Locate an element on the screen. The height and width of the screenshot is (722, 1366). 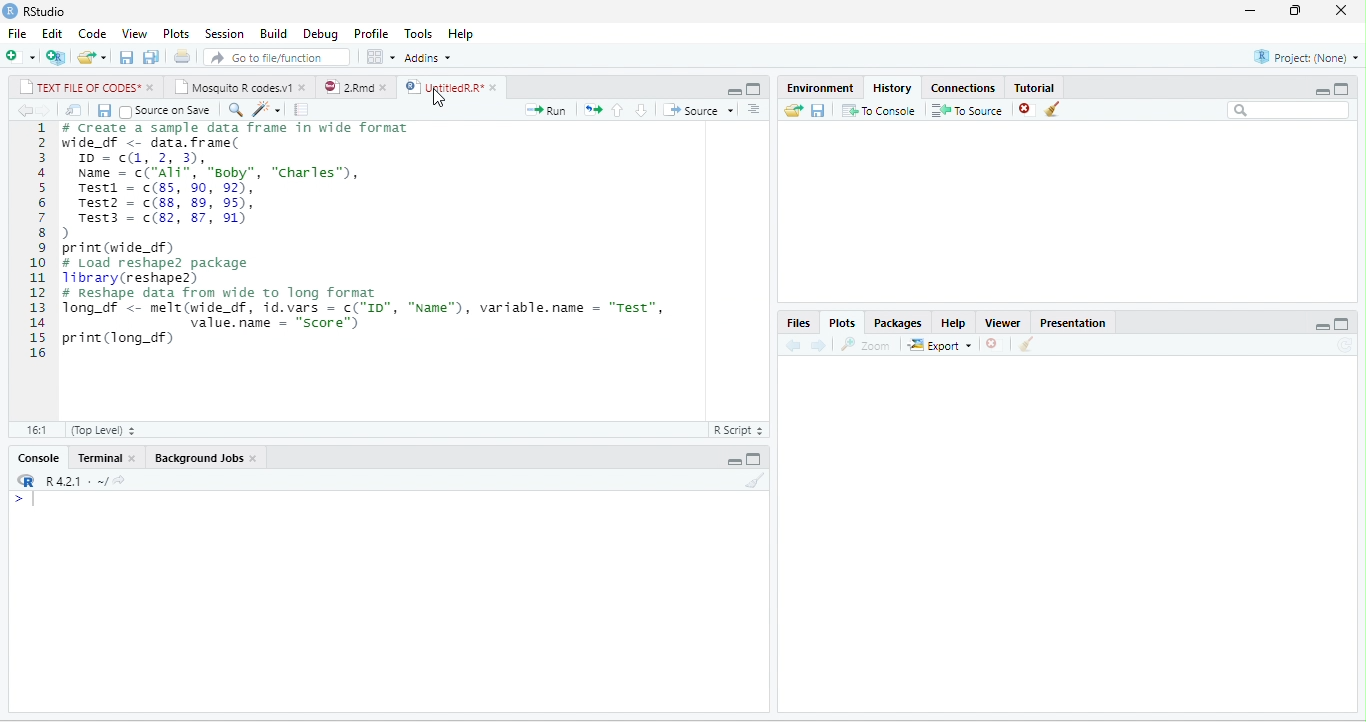
up is located at coordinates (618, 110).